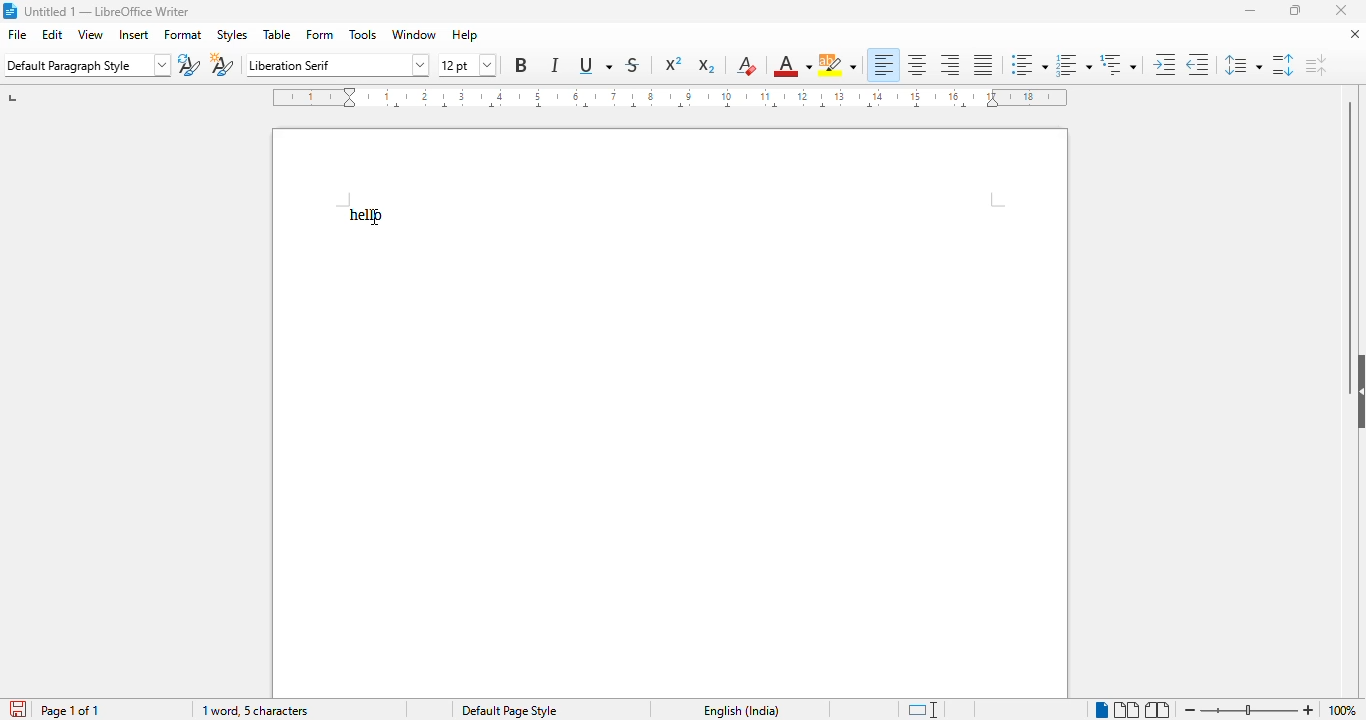 Image resolution: width=1366 pixels, height=720 pixels. I want to click on show, so click(1357, 392).